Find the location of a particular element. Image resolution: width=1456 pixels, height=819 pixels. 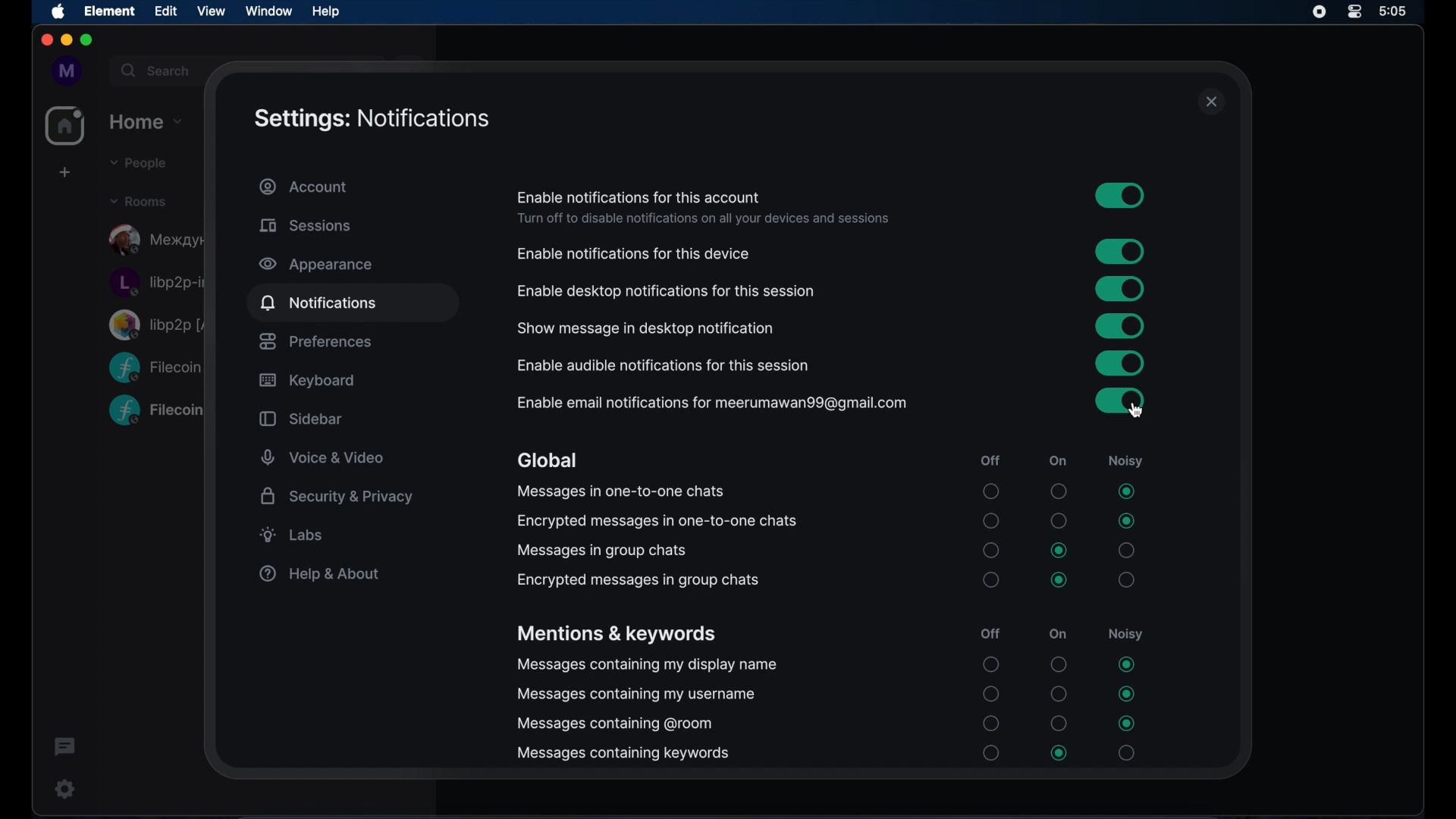

radio button is located at coordinates (992, 723).